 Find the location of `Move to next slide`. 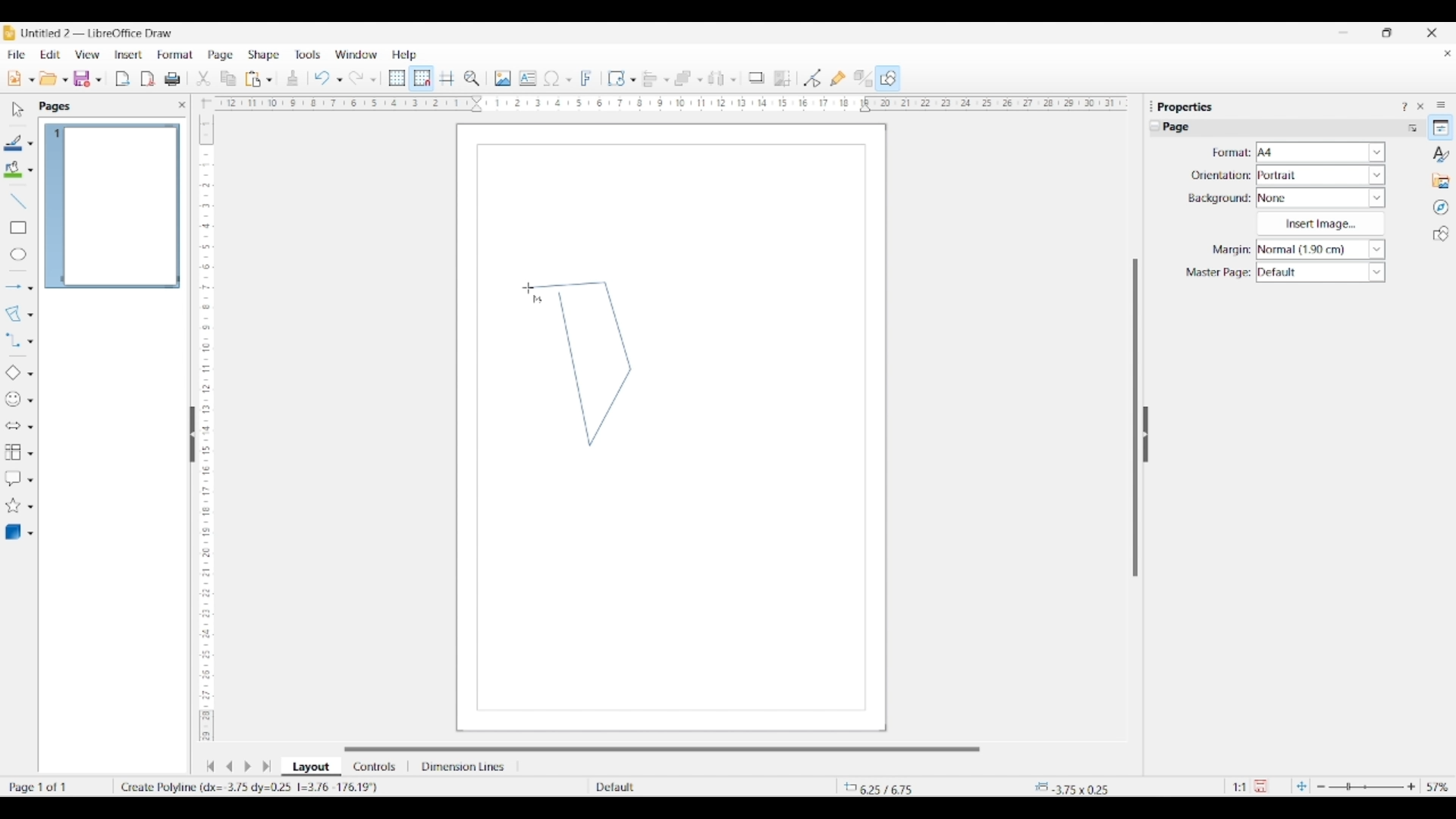

Move to next slide is located at coordinates (247, 767).